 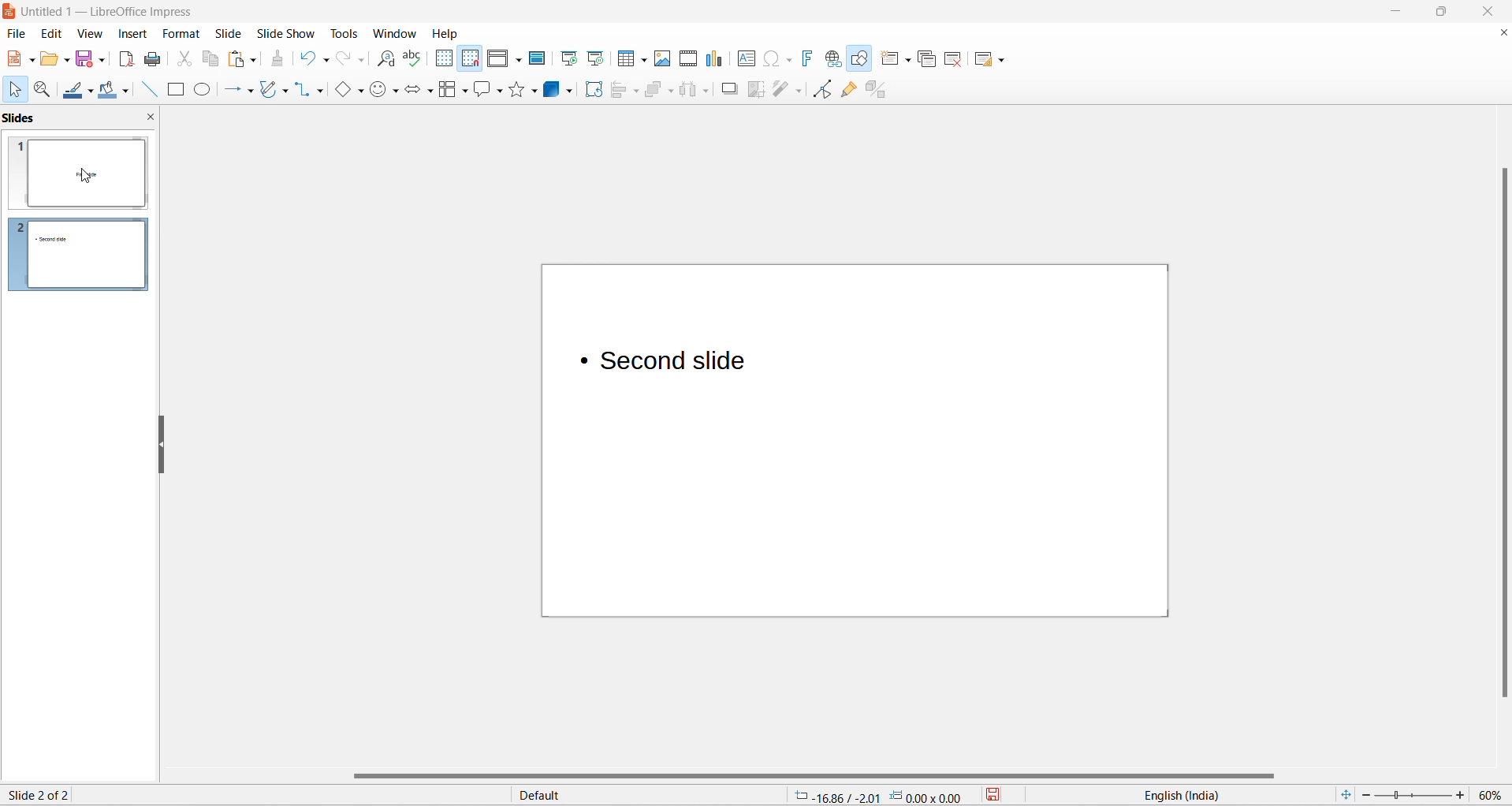 What do you see at coordinates (531, 91) in the screenshot?
I see `star options` at bounding box center [531, 91].